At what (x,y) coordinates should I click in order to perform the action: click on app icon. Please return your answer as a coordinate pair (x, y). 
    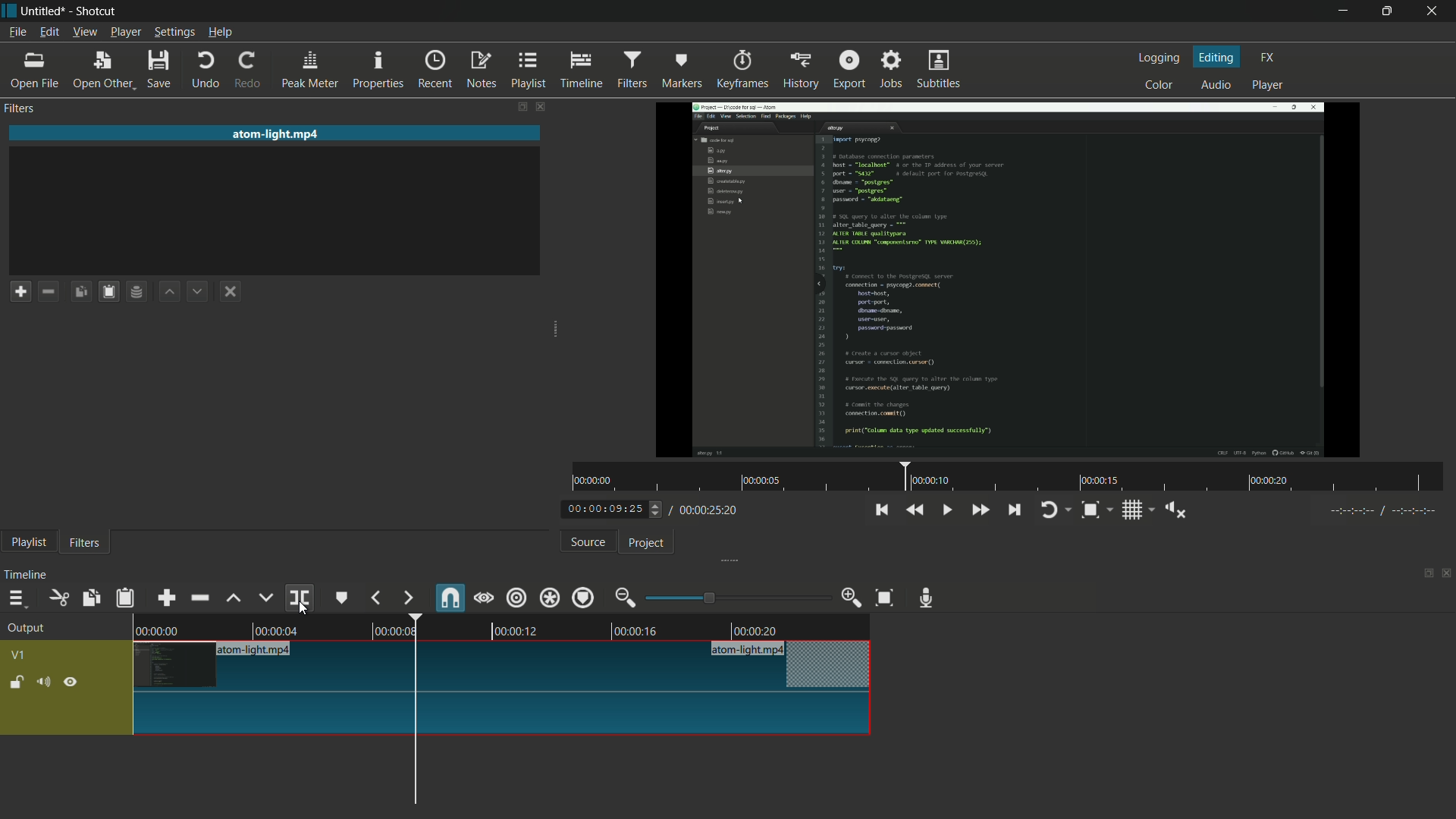
    Looking at the image, I should click on (9, 11).